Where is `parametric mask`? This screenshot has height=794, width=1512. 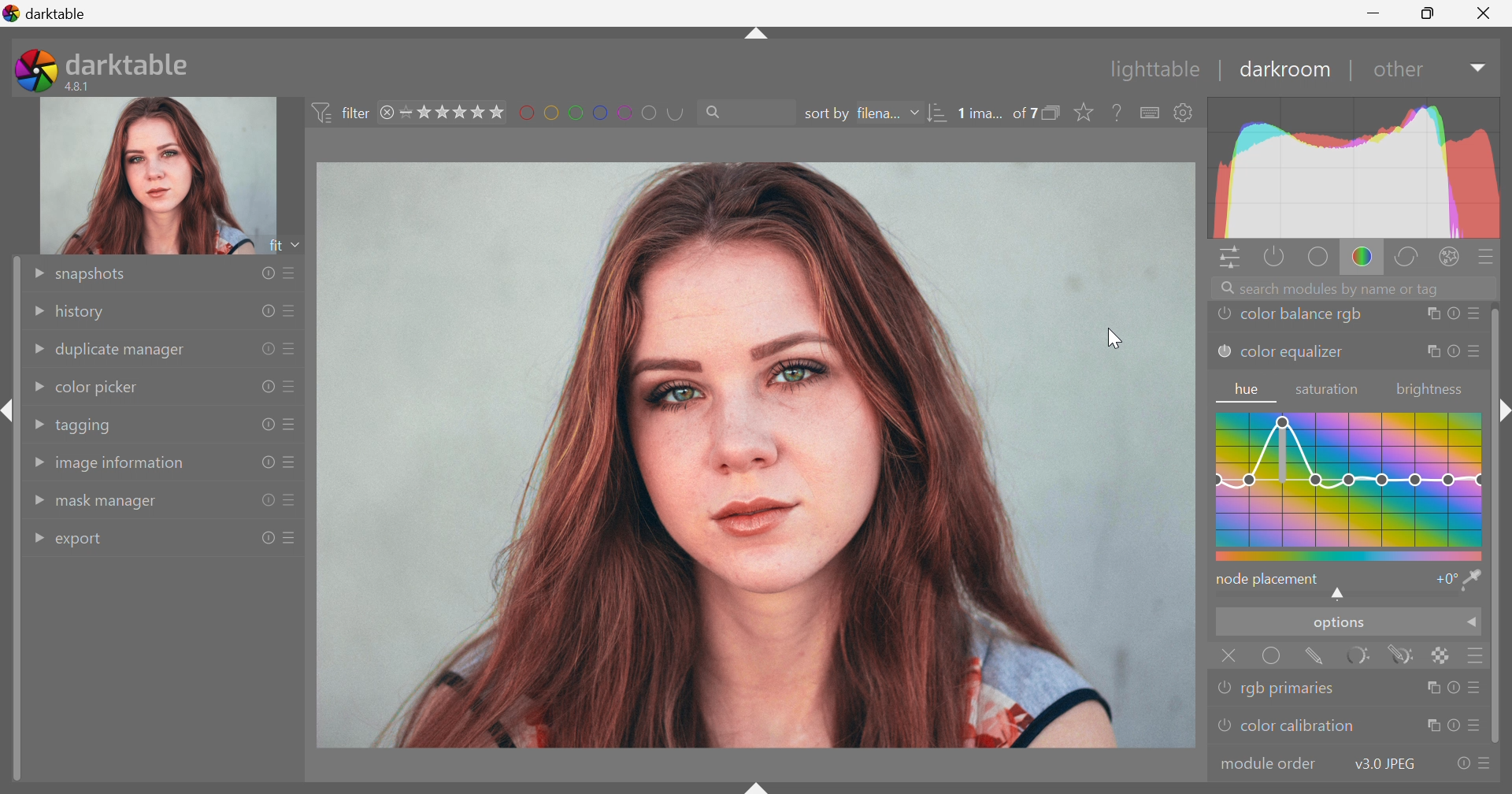
parametric mask is located at coordinates (1365, 655).